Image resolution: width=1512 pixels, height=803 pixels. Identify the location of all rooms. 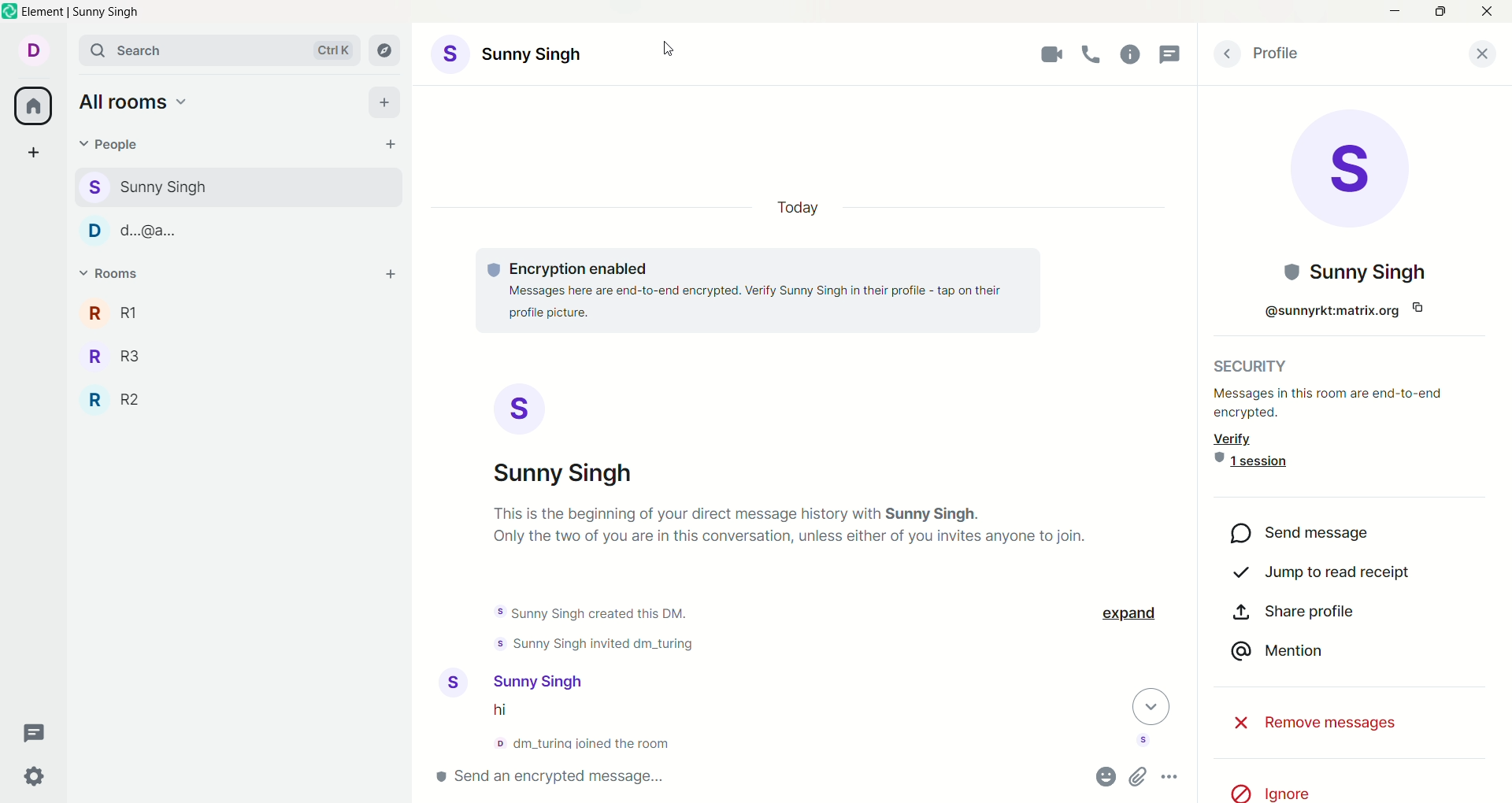
(29, 107).